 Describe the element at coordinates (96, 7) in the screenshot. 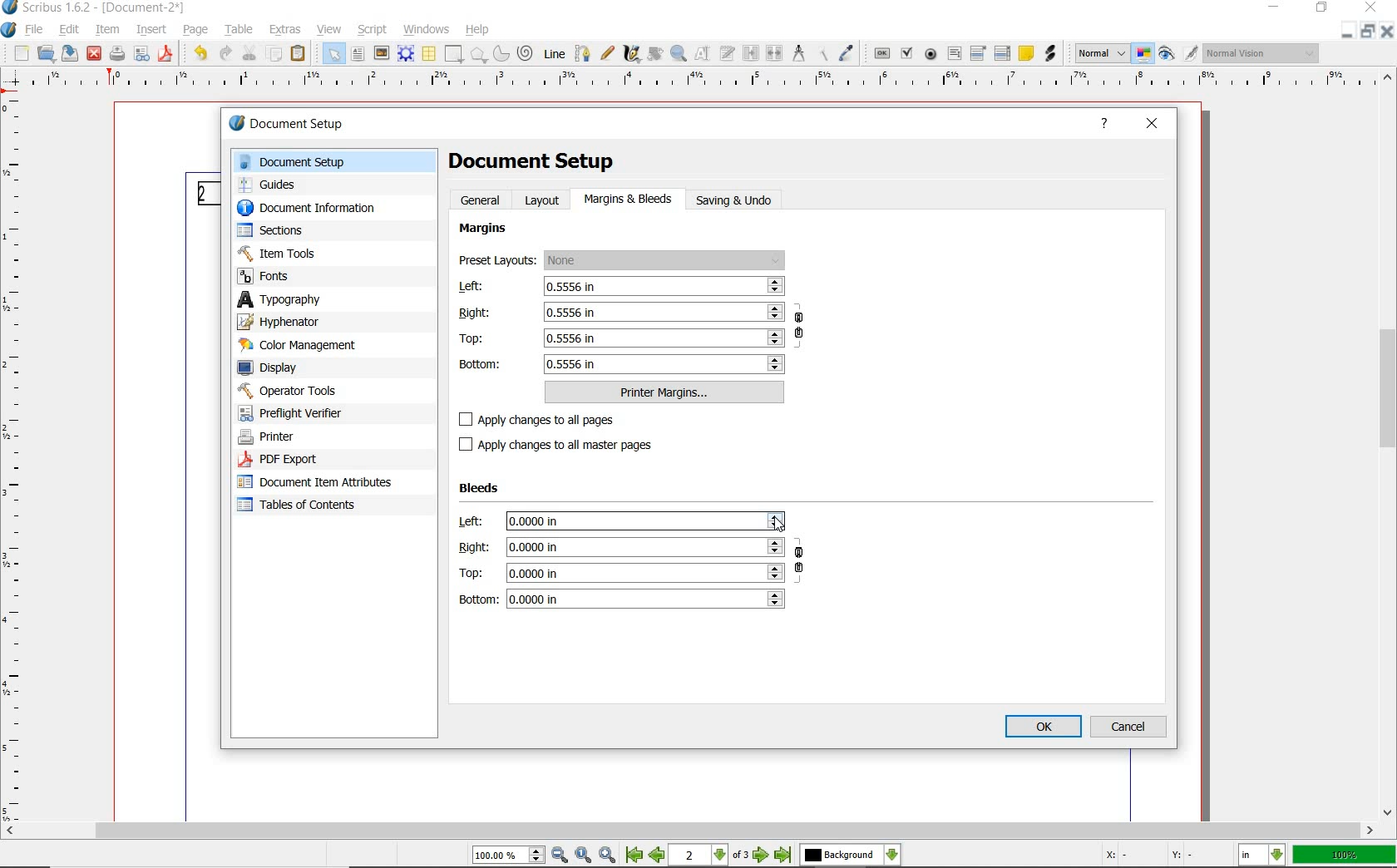

I see `Scribus 1.62 - [Document-2*]` at that location.